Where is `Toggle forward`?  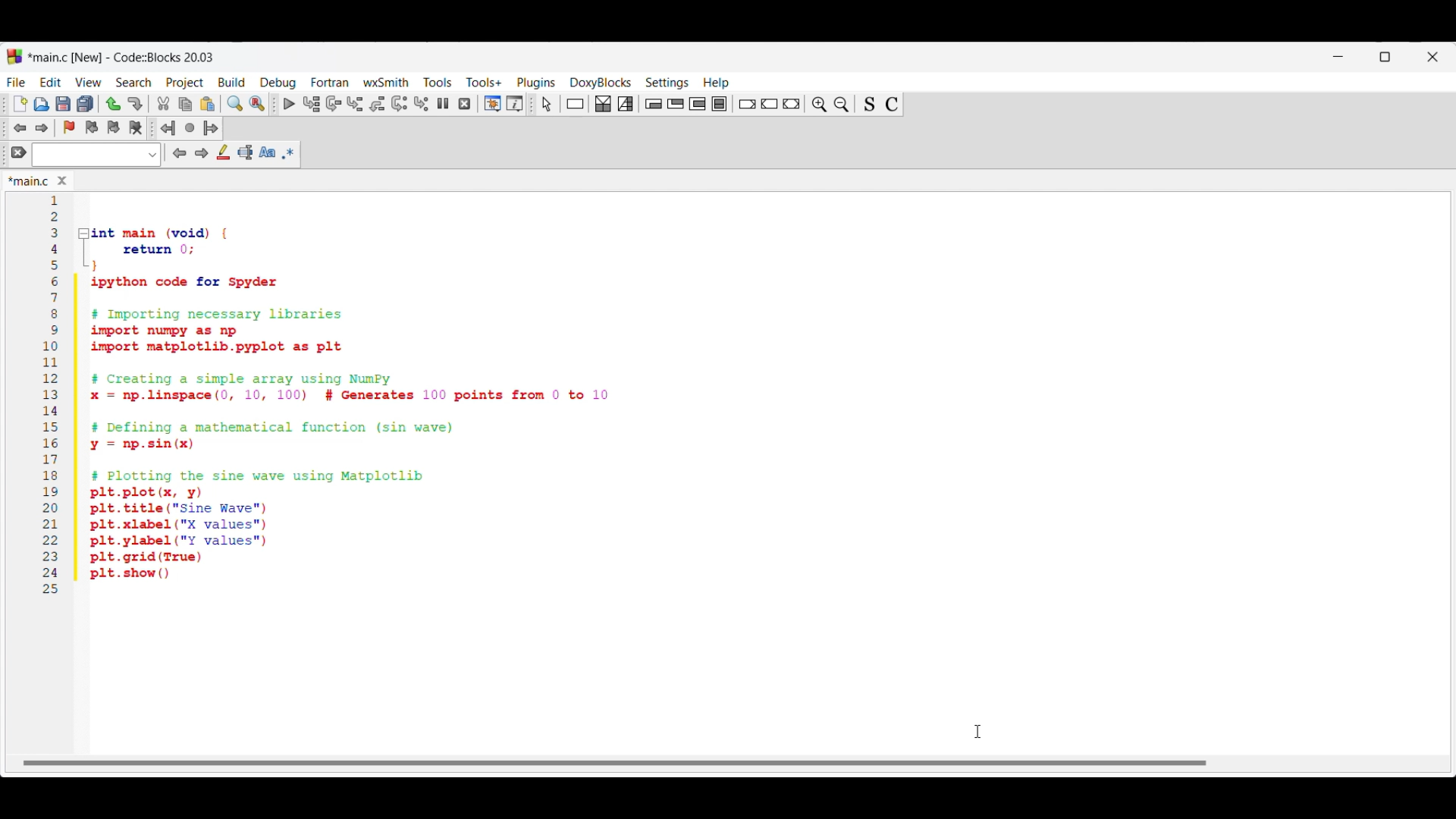
Toggle forward is located at coordinates (42, 128).